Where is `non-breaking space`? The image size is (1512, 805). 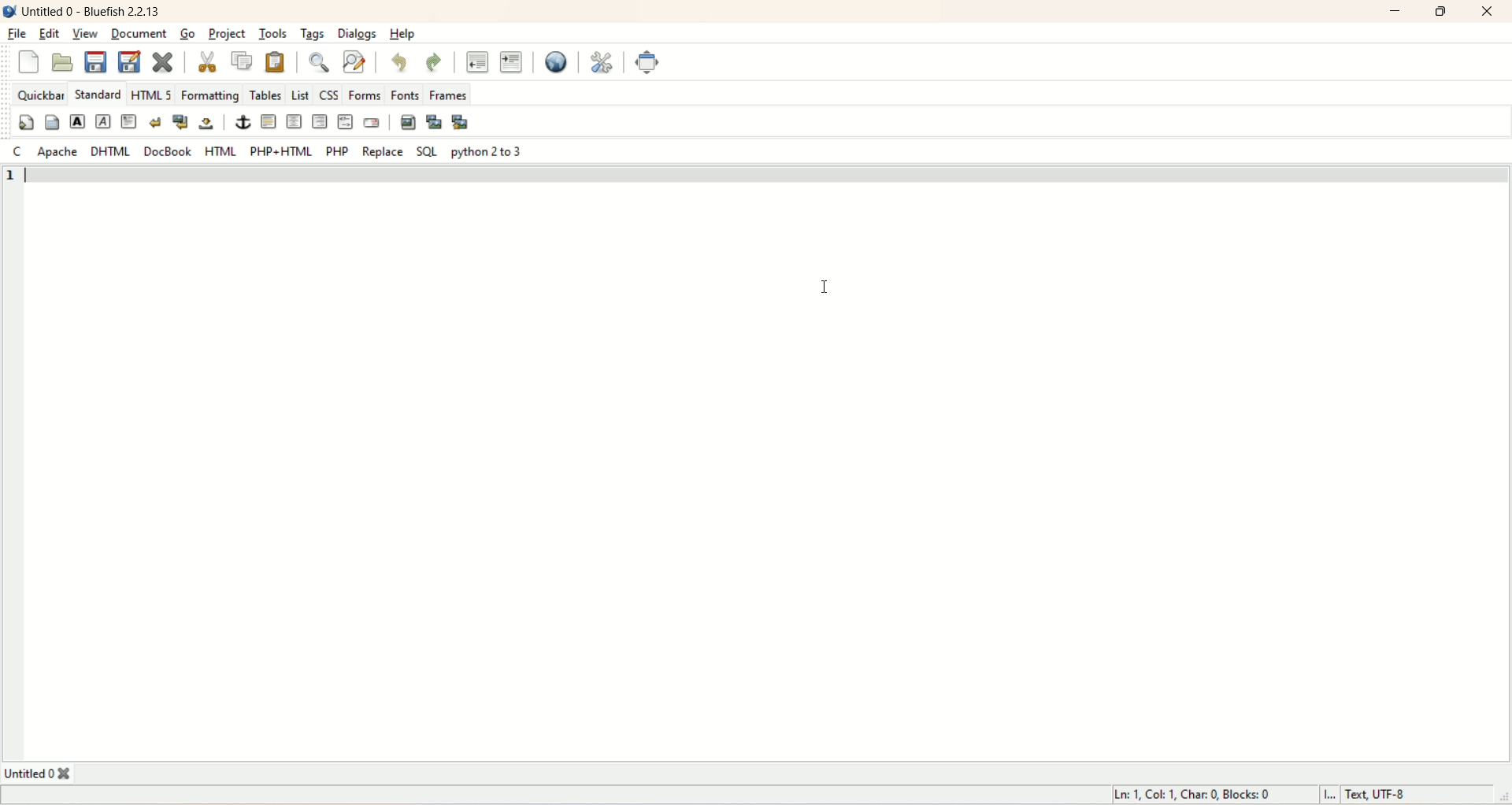
non-breaking space is located at coordinates (206, 124).